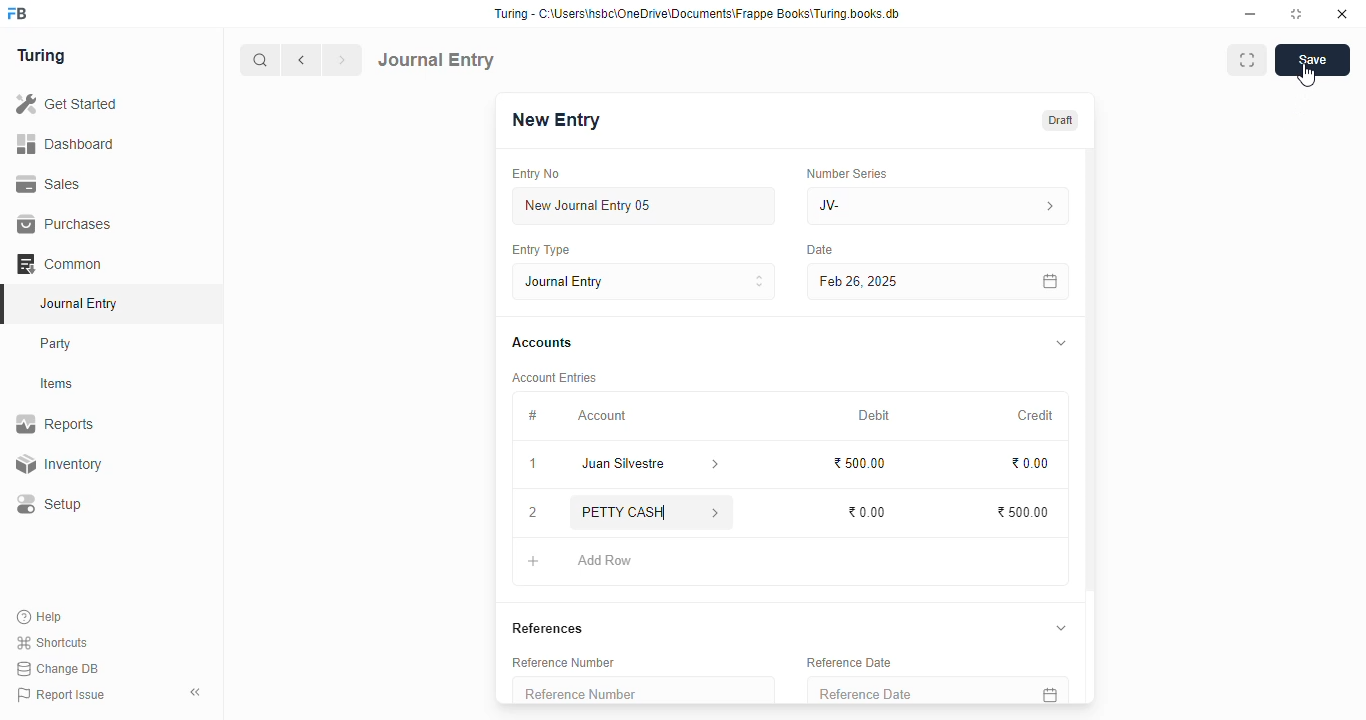 The image size is (1366, 720). I want to click on FB - logo, so click(17, 13).